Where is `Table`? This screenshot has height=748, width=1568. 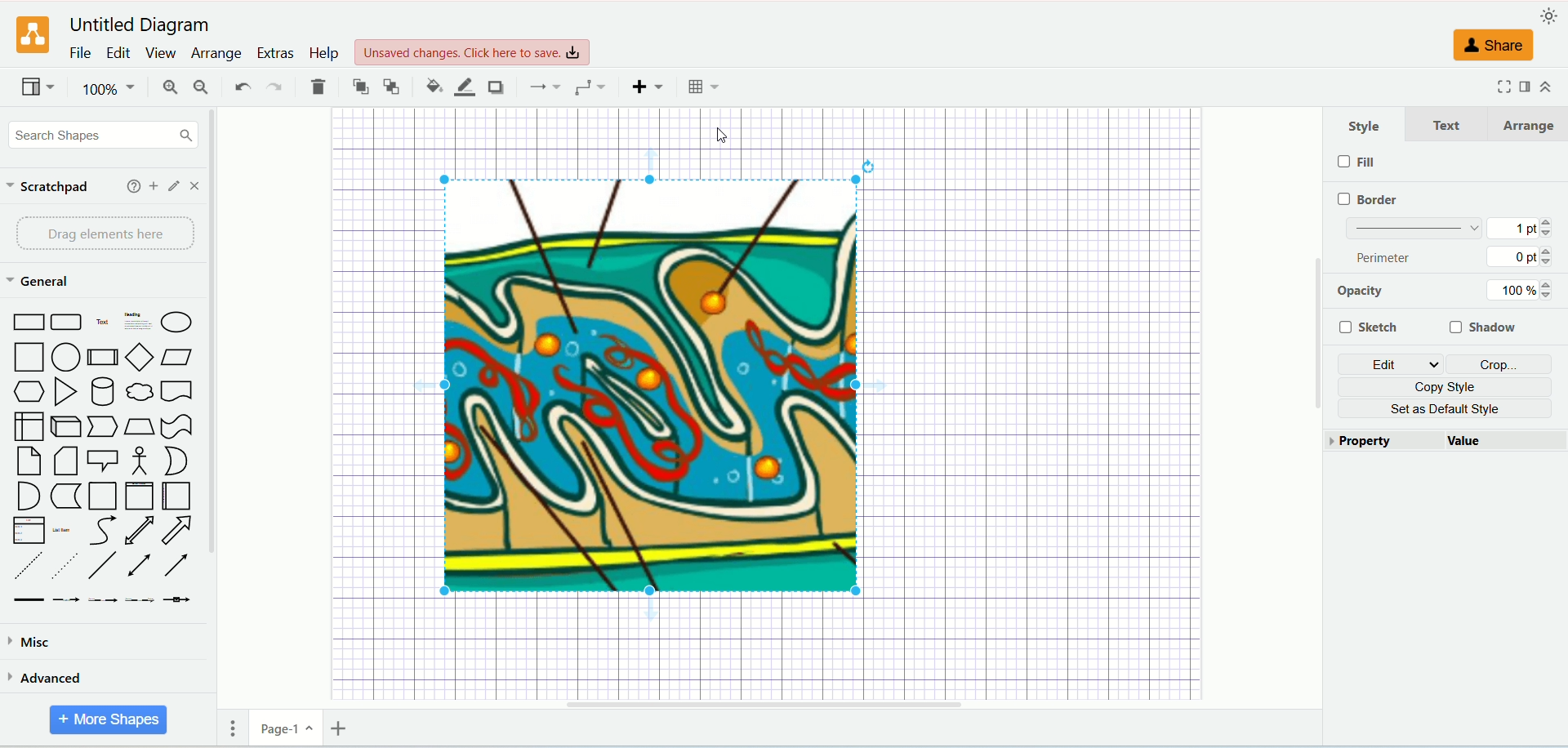
Table is located at coordinates (700, 87).